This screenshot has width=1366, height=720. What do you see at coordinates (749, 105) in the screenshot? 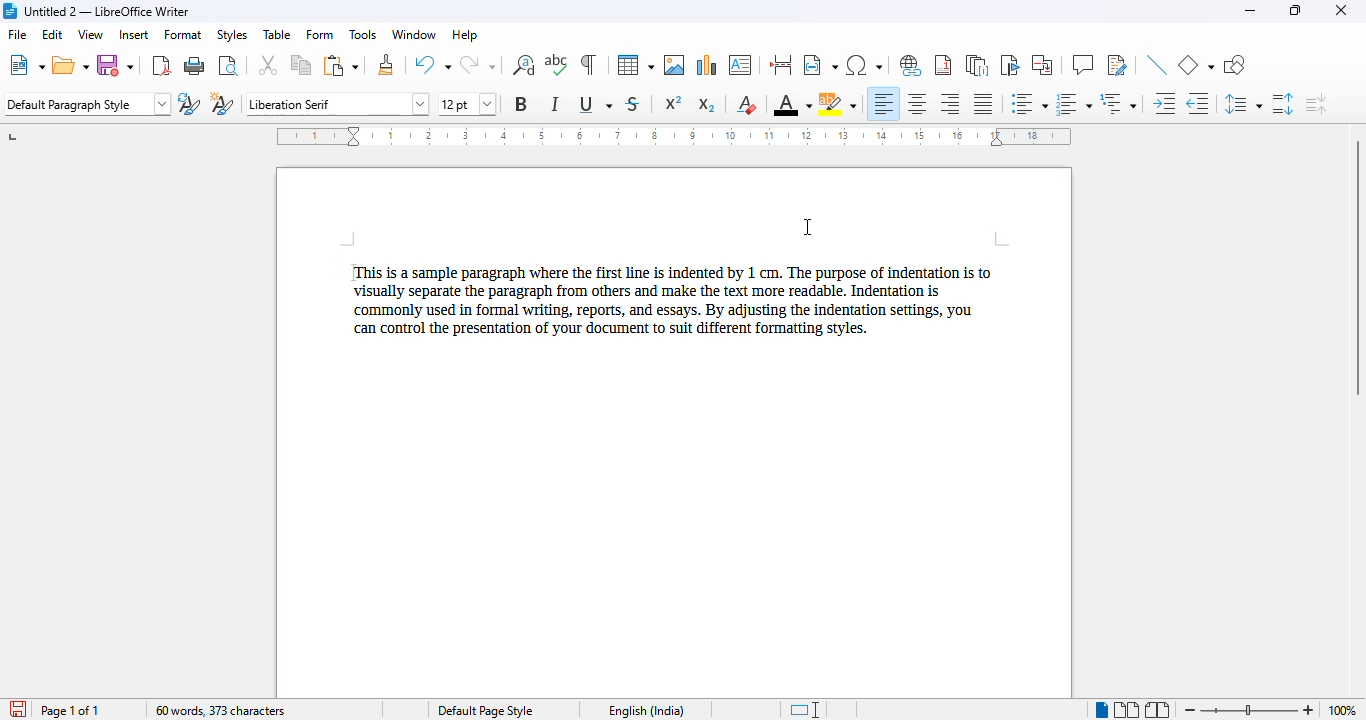
I see `clear direct formatting` at bounding box center [749, 105].